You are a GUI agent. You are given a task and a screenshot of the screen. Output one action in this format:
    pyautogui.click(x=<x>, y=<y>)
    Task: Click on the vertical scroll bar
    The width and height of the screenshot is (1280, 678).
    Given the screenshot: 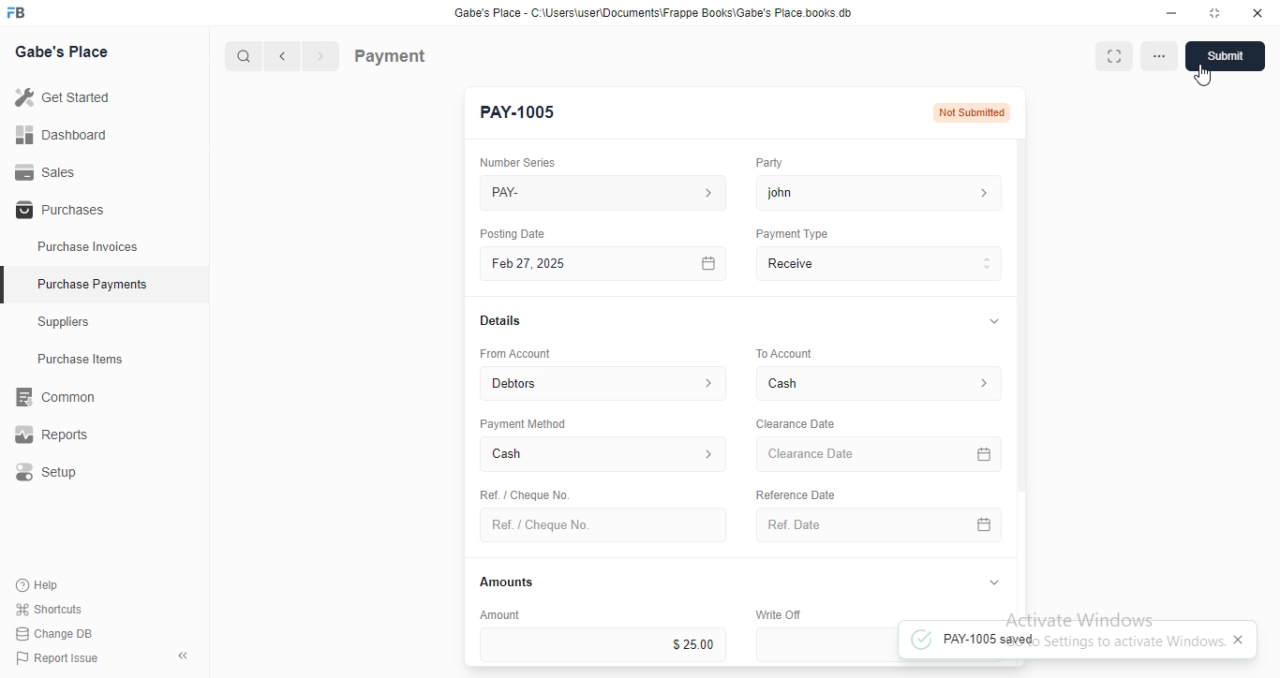 What is the action you would take?
    pyautogui.click(x=1022, y=379)
    